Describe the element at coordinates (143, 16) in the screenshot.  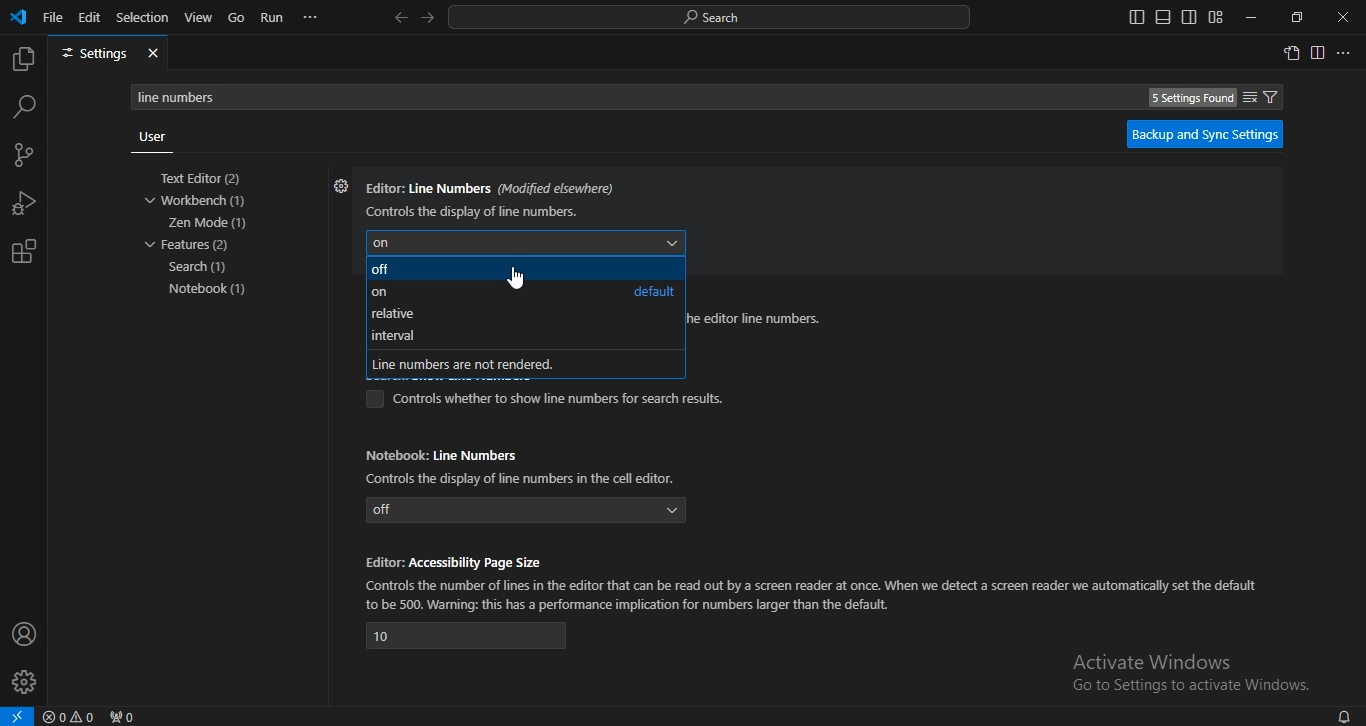
I see `selection` at that location.